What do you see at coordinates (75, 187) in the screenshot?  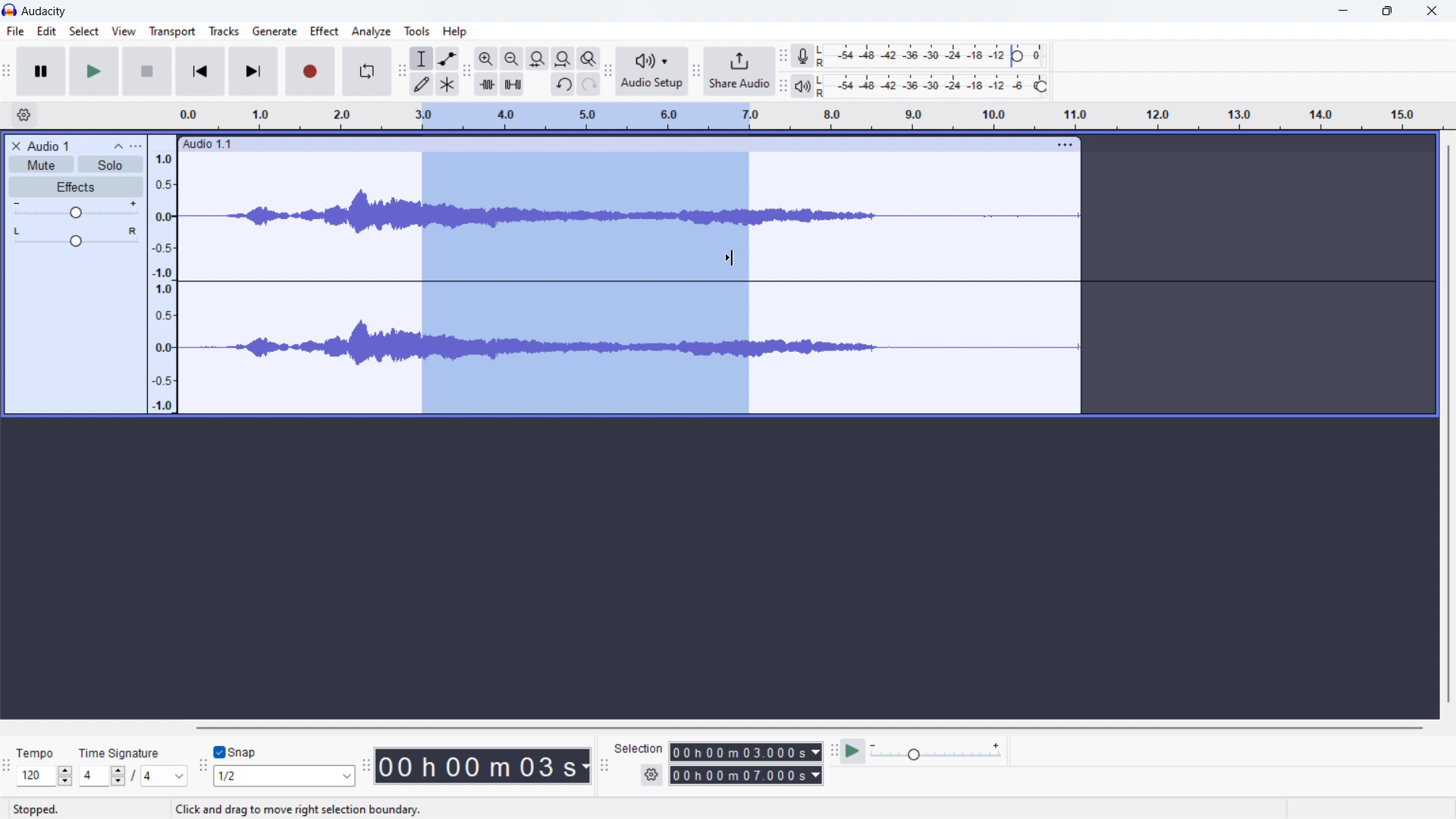 I see `effects` at bounding box center [75, 187].